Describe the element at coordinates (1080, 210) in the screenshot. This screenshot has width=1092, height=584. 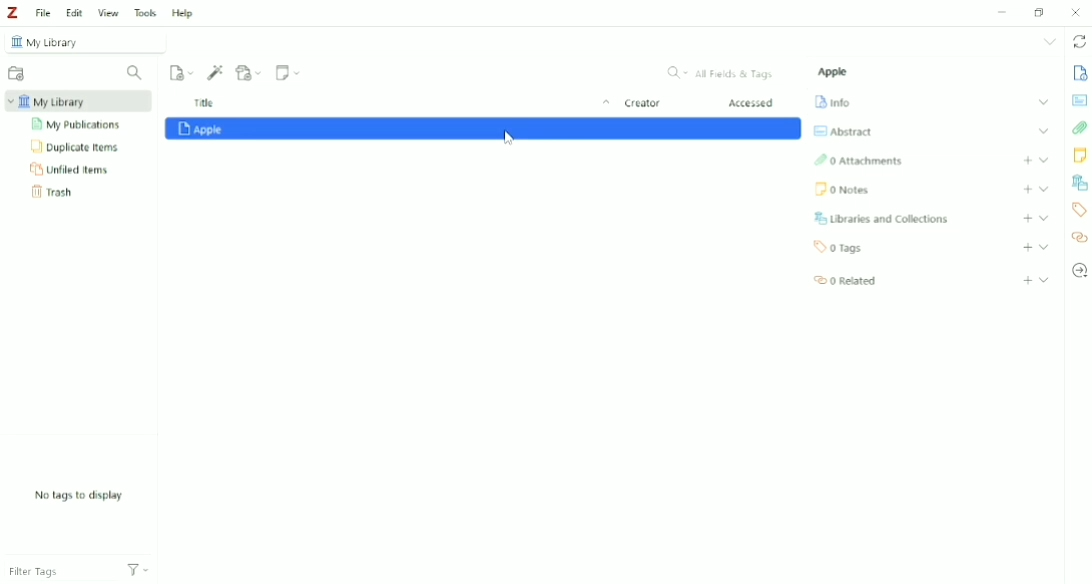
I see `Tags` at that location.